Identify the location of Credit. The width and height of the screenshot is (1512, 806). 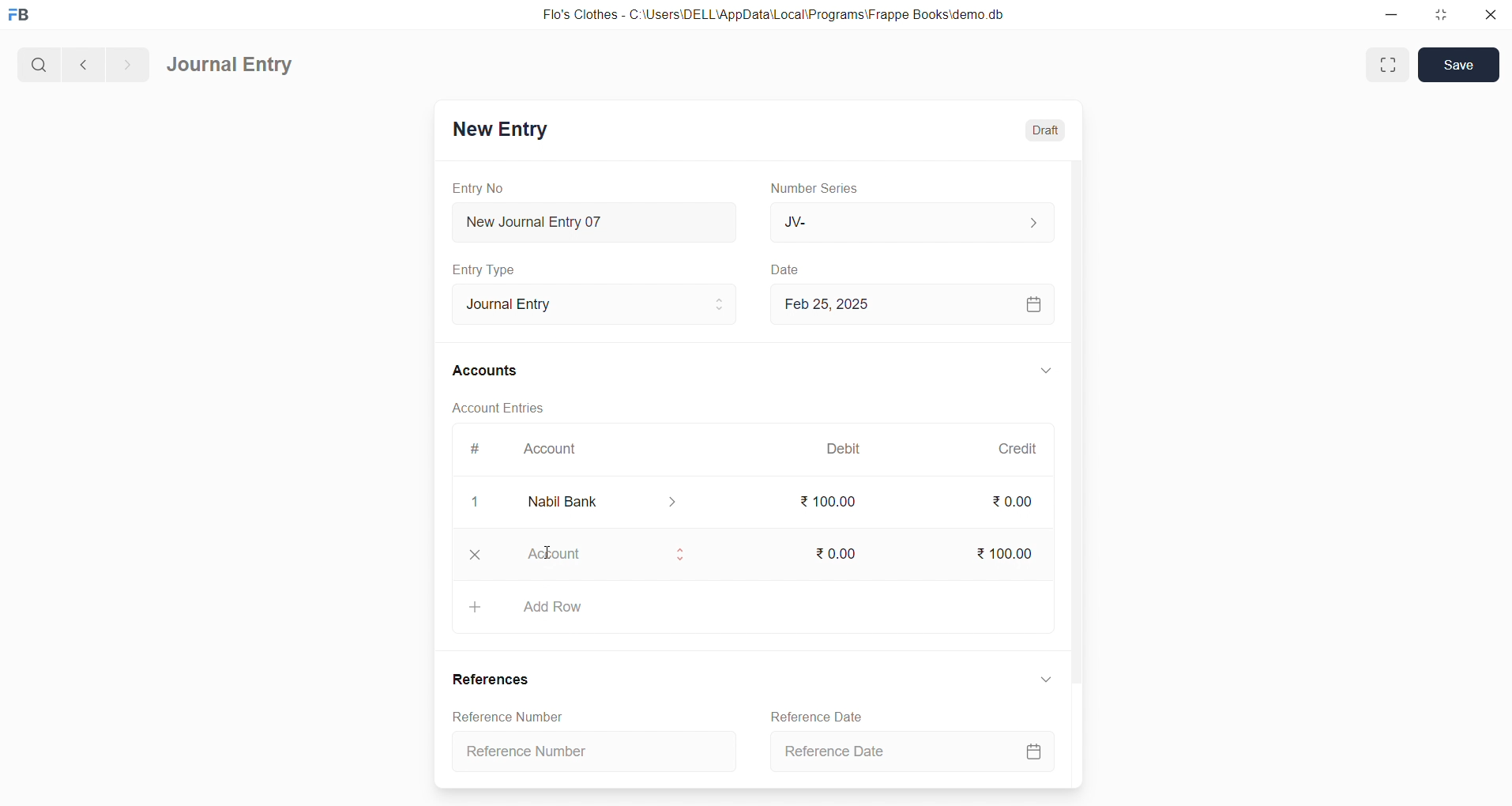
(1017, 448).